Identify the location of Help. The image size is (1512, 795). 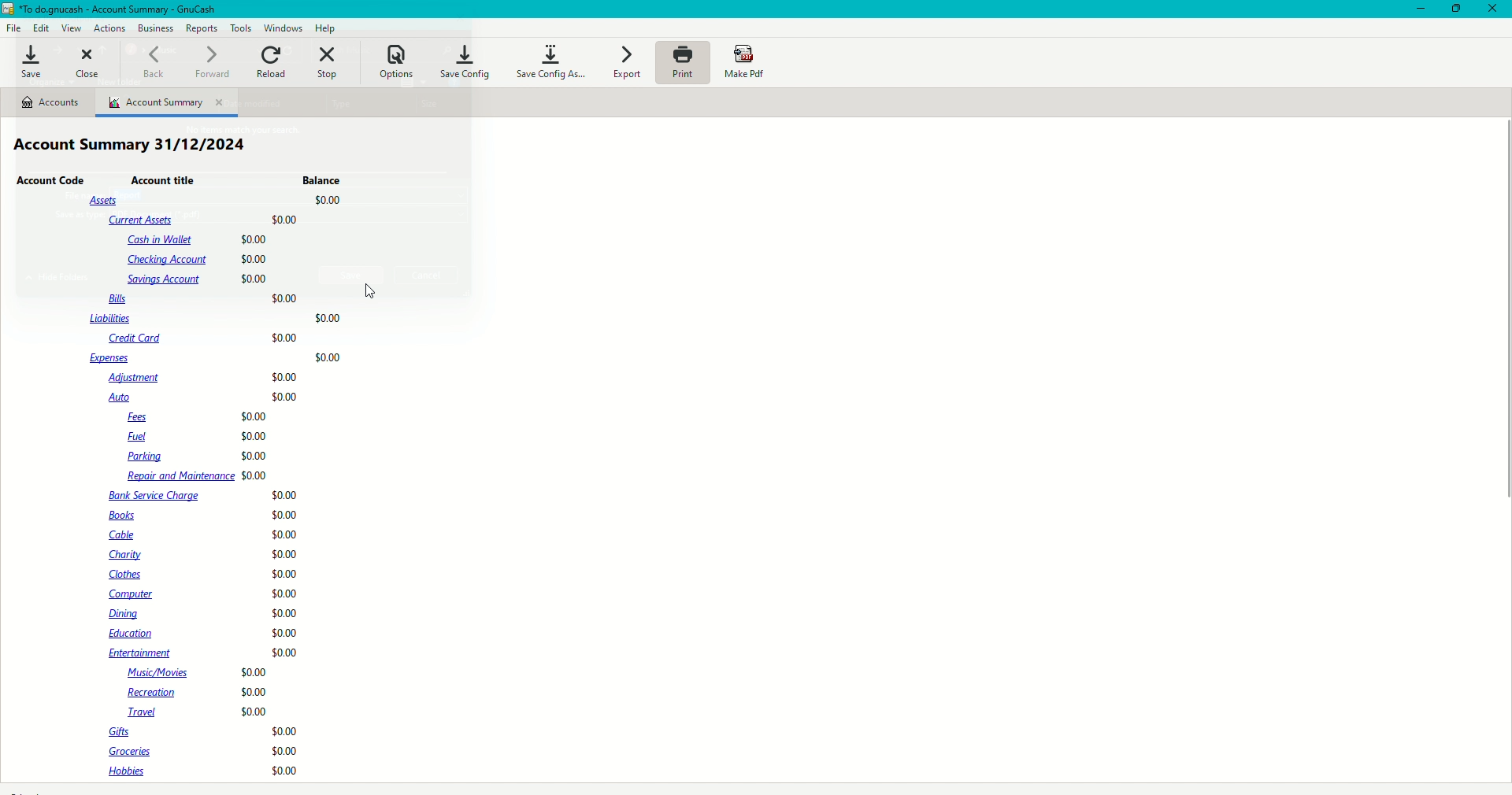
(328, 28).